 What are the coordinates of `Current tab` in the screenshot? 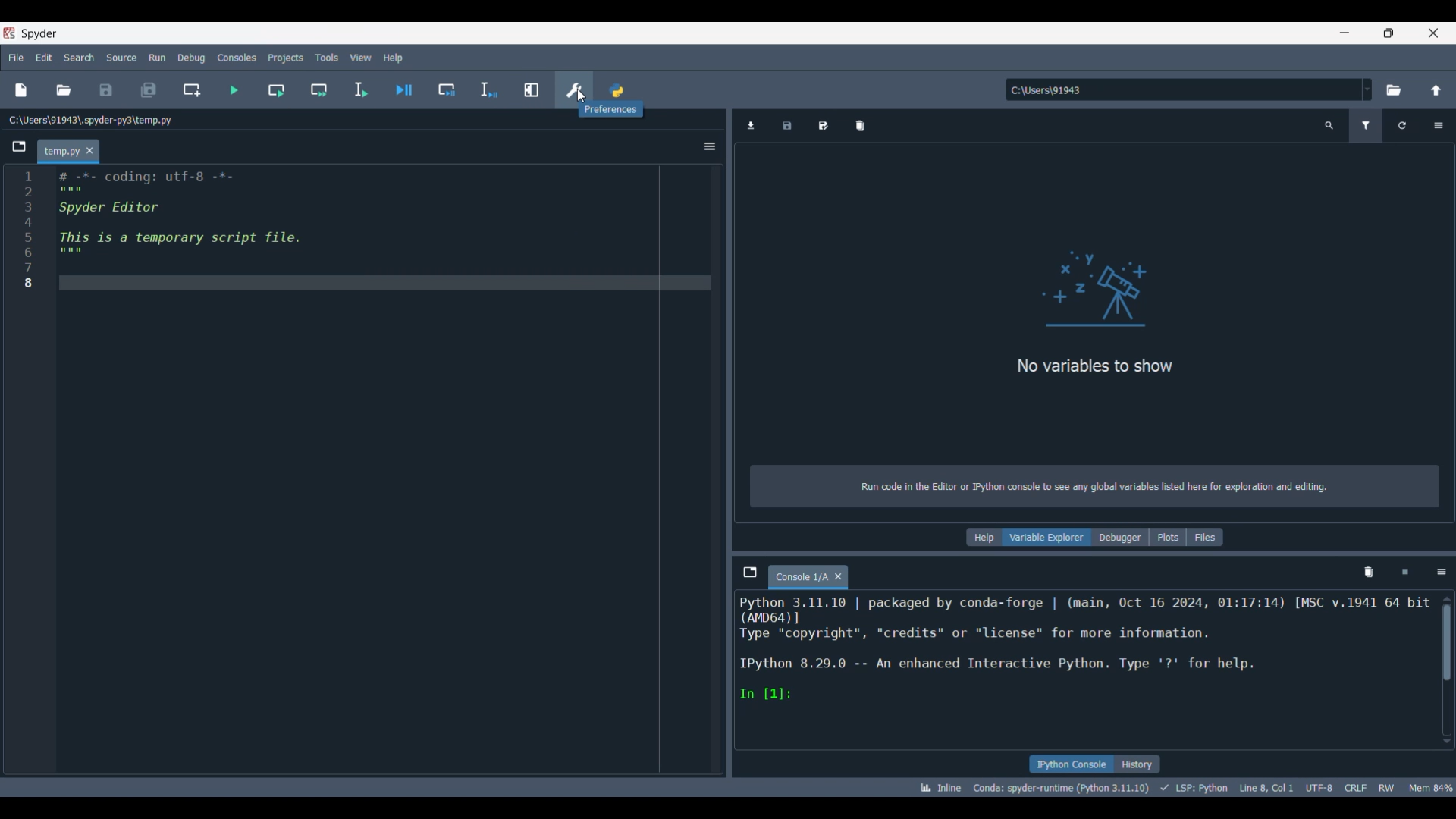 It's located at (61, 152).